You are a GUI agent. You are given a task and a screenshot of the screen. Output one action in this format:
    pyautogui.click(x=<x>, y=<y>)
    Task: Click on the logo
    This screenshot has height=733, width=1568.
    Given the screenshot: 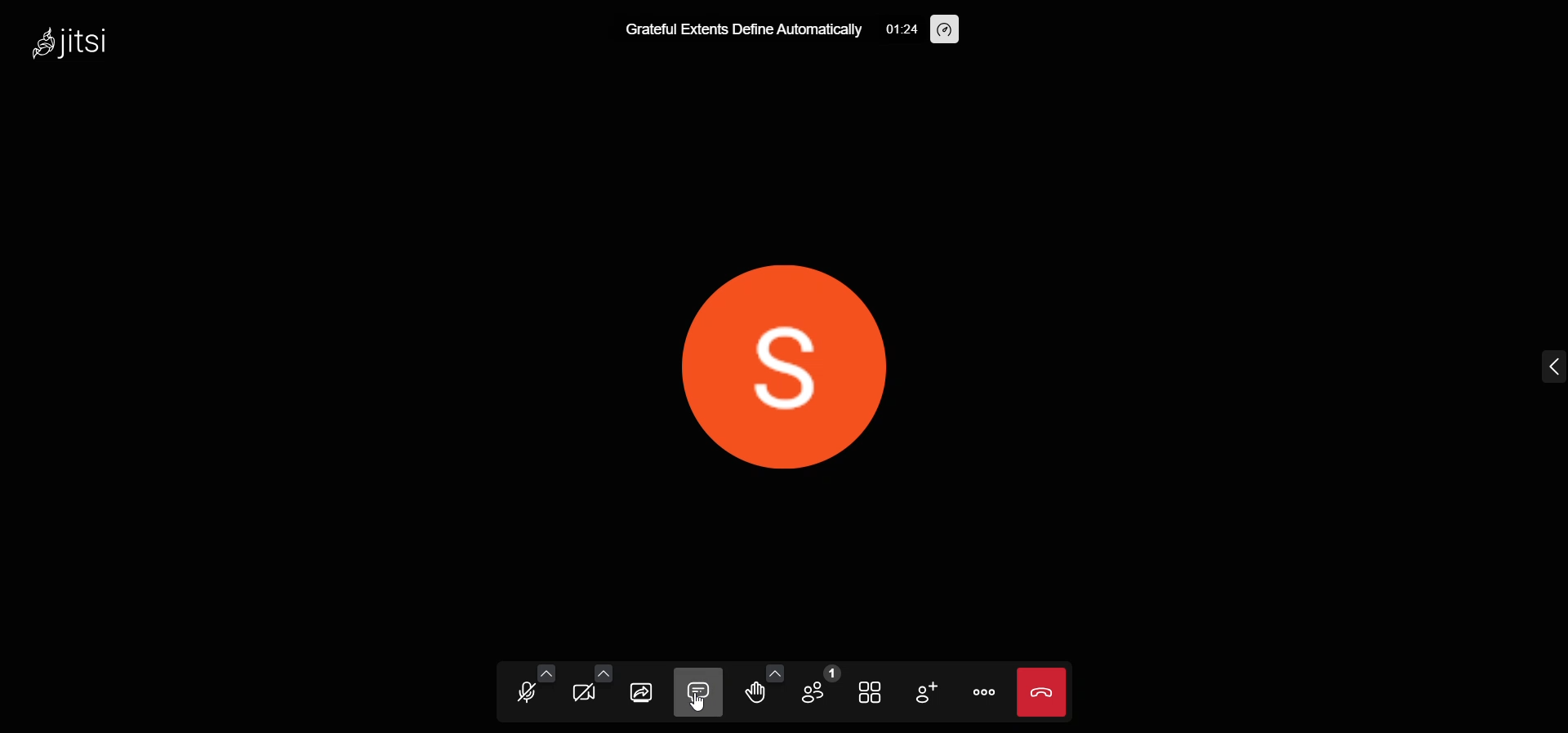 What is the action you would take?
    pyautogui.click(x=92, y=42)
    